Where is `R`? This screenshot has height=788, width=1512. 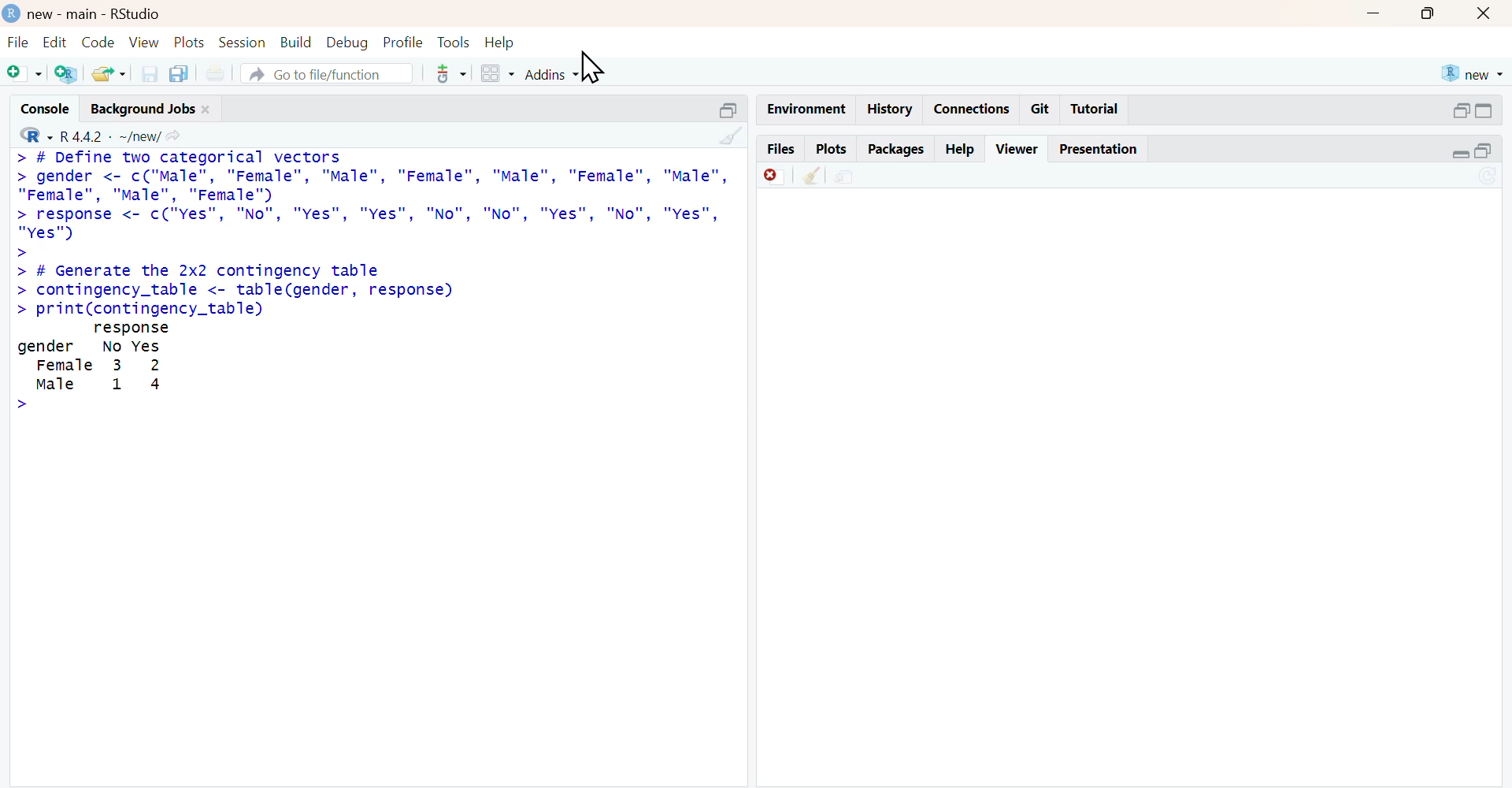 R is located at coordinates (37, 135).